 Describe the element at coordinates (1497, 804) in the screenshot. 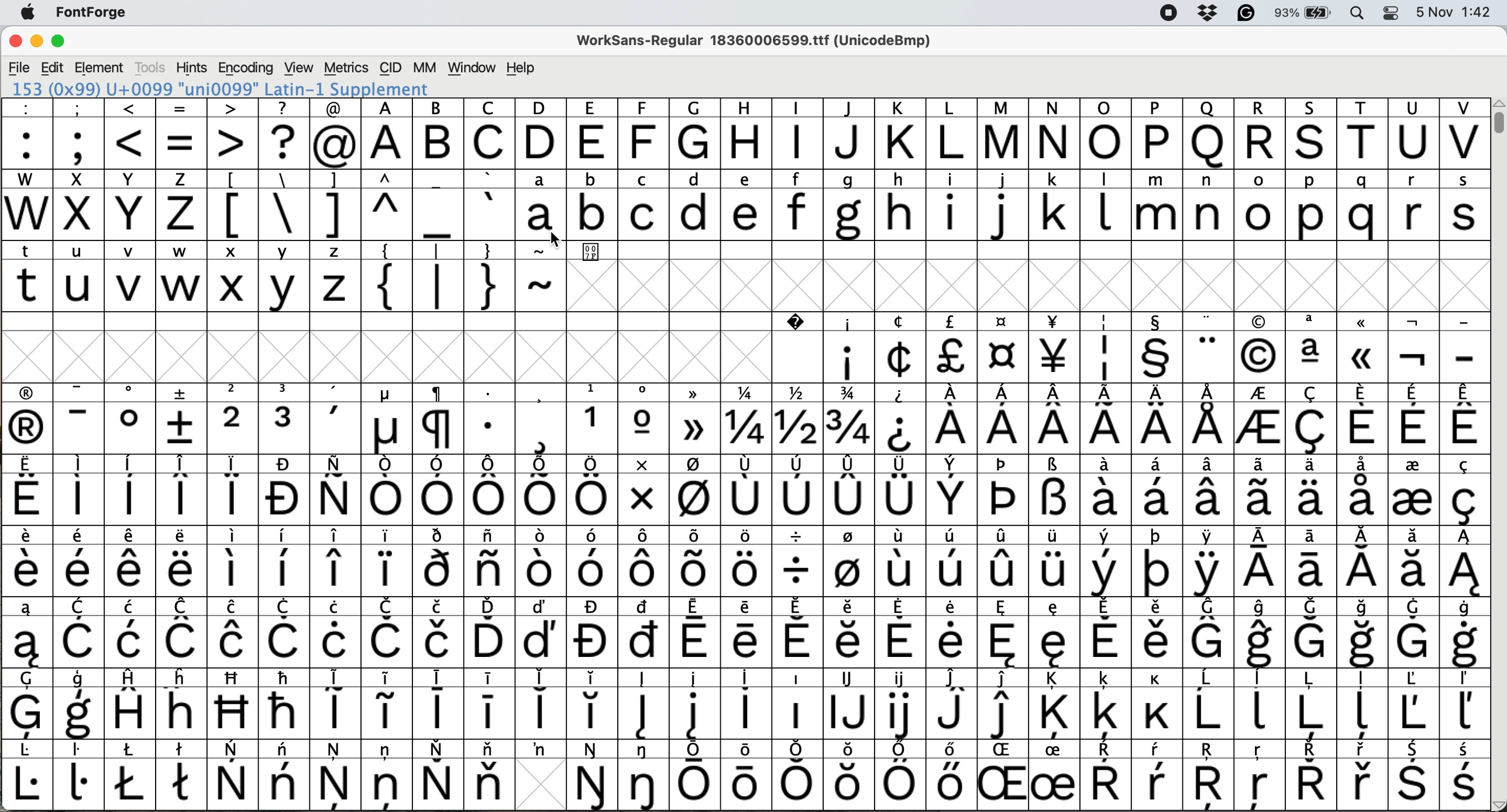

I see `scroll button` at that location.